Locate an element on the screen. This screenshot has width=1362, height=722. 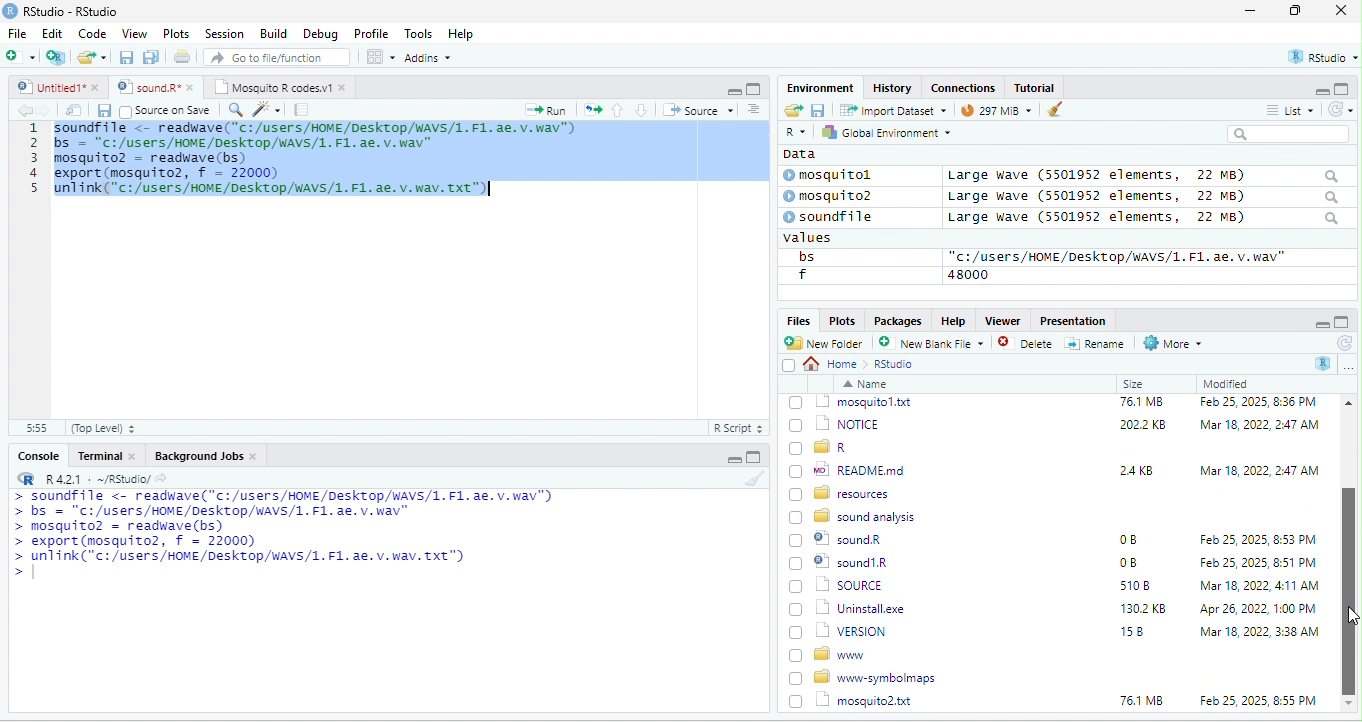
select is located at coordinates (791, 369).